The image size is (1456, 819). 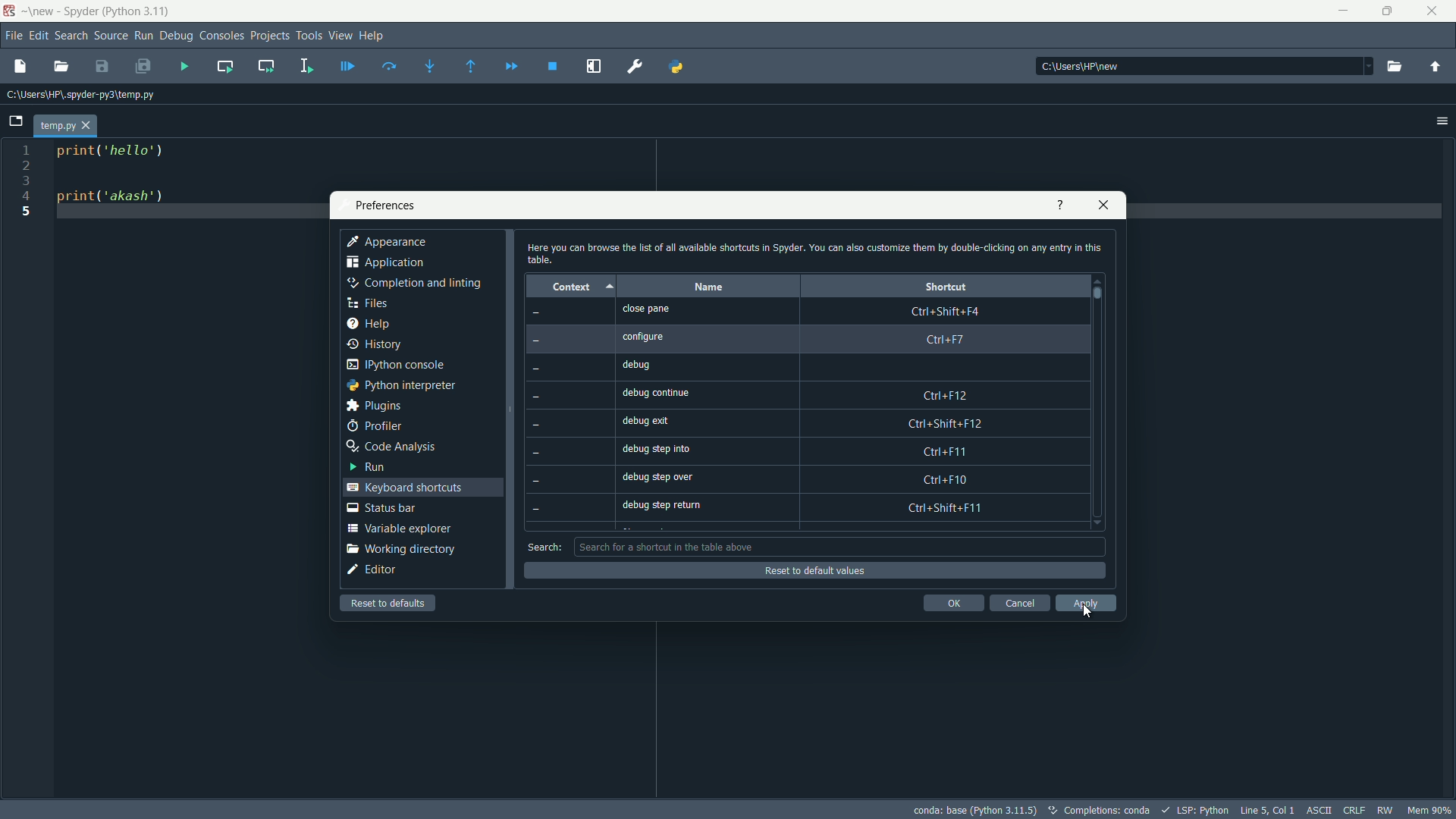 I want to click on | C:\Users\HP\new, so click(x=1078, y=67).